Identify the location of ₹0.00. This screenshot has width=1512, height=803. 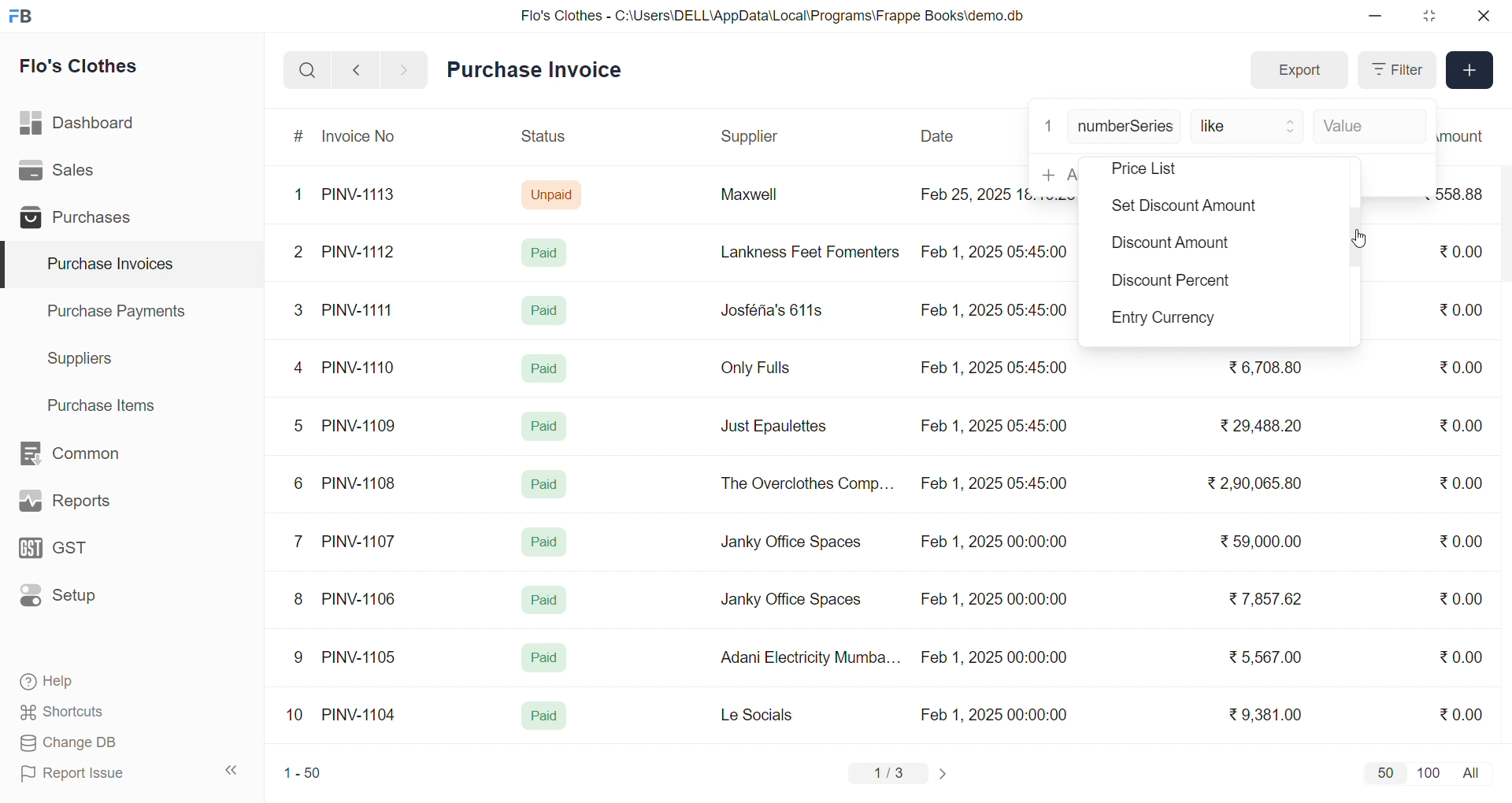
(1462, 656).